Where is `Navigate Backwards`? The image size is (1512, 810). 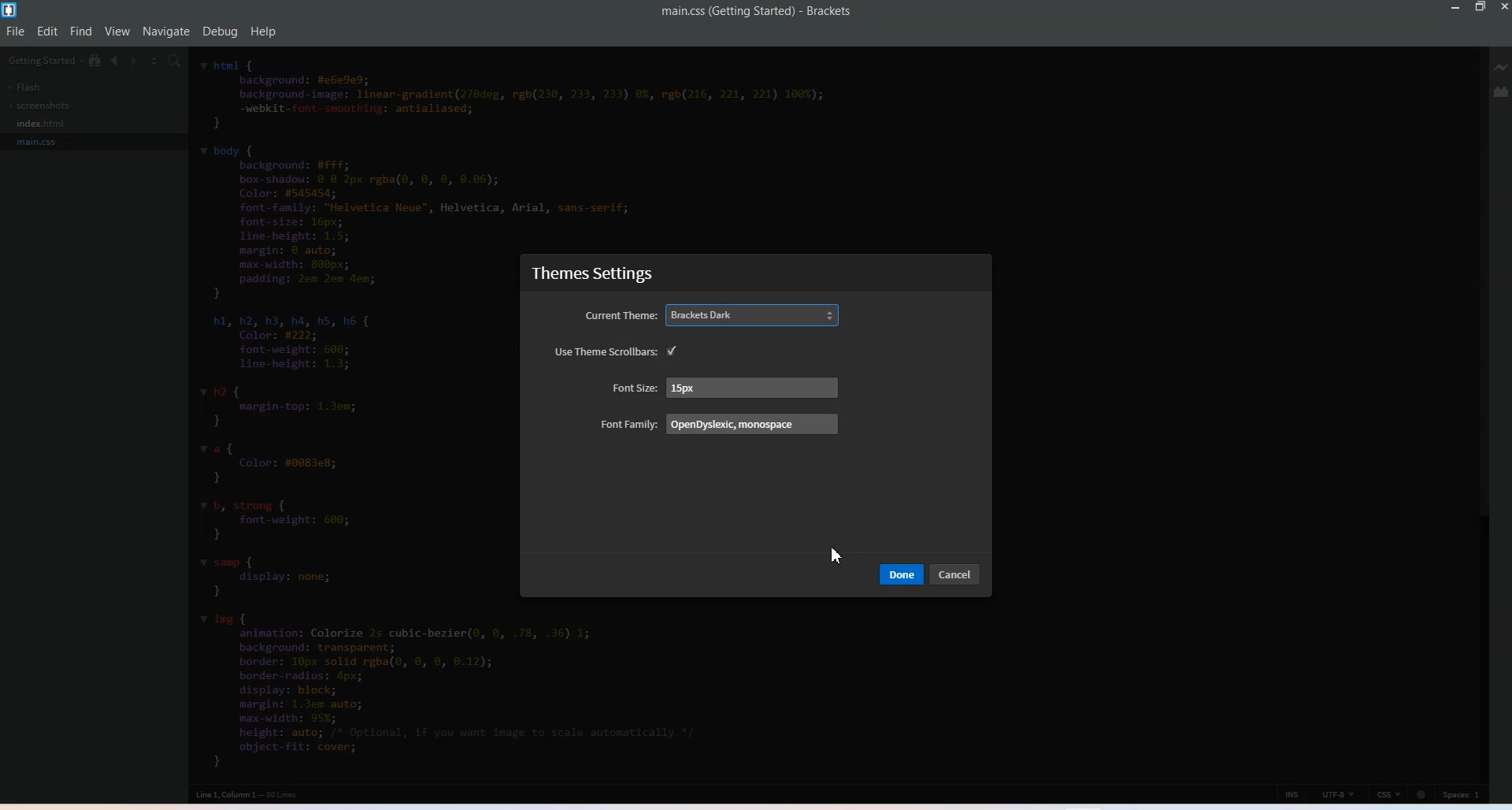
Navigate Backwards is located at coordinates (113, 61).